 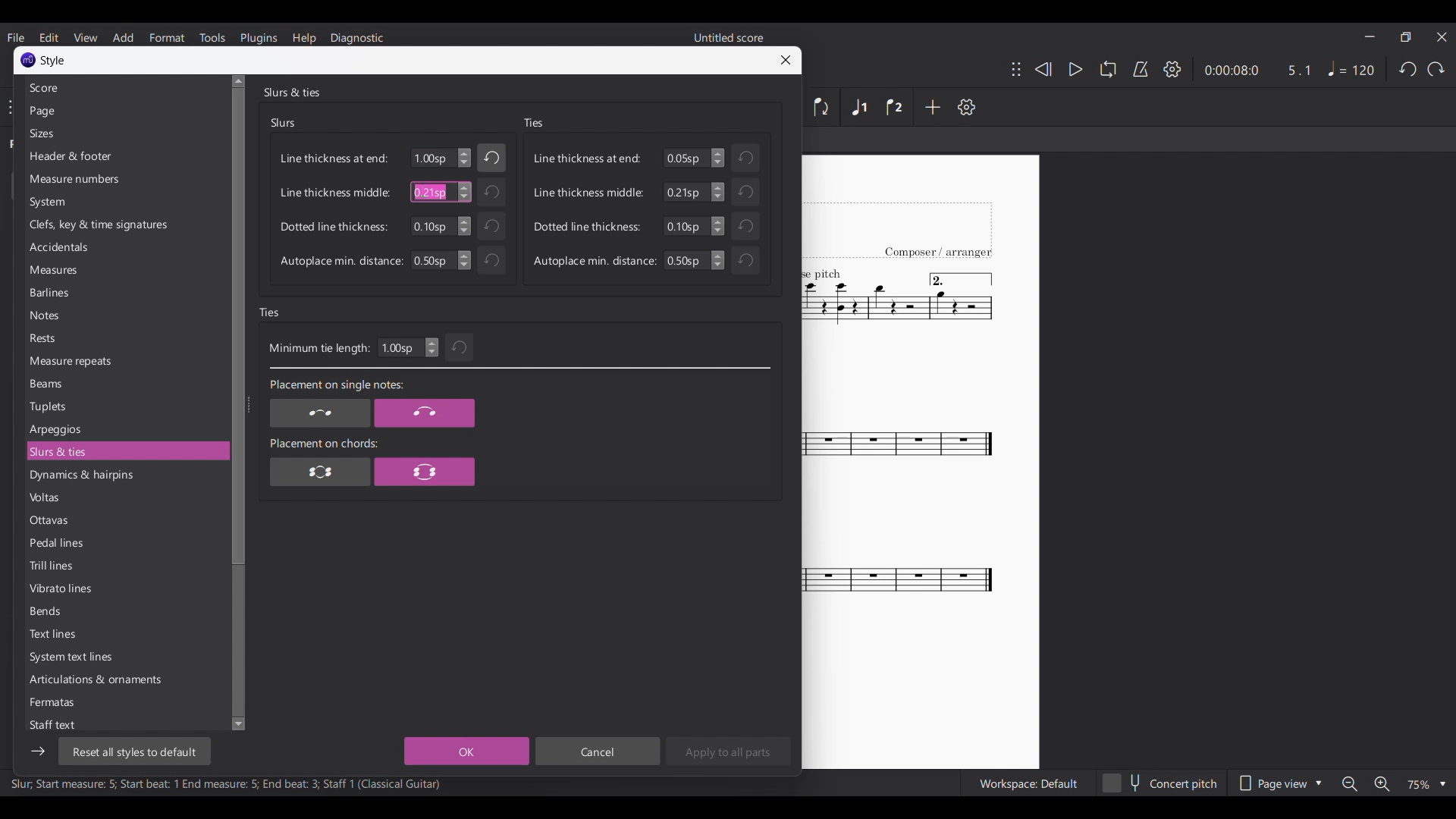 I want to click on Minimize, so click(x=1370, y=36).